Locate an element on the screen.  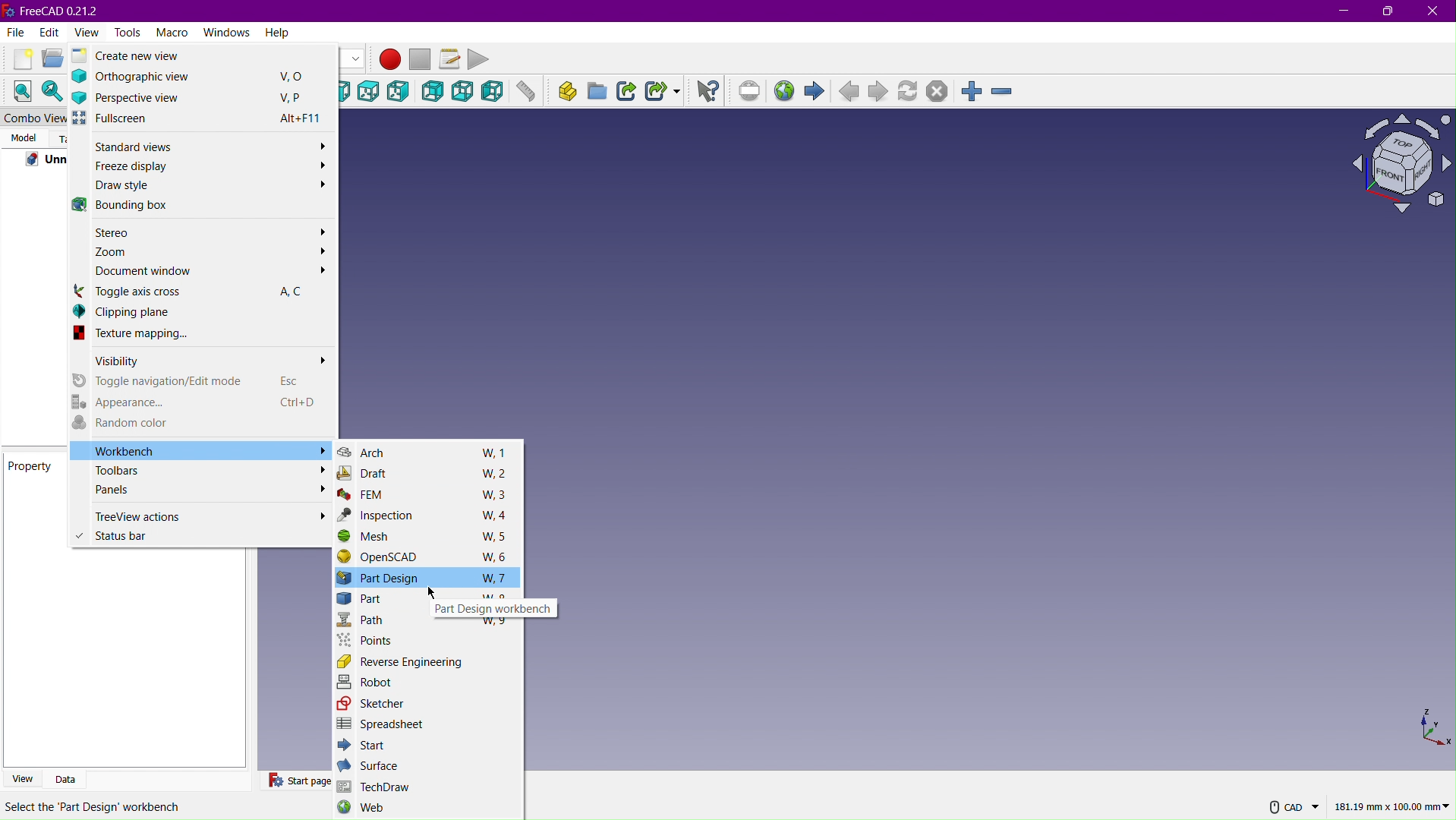
Refresh page is located at coordinates (909, 93).